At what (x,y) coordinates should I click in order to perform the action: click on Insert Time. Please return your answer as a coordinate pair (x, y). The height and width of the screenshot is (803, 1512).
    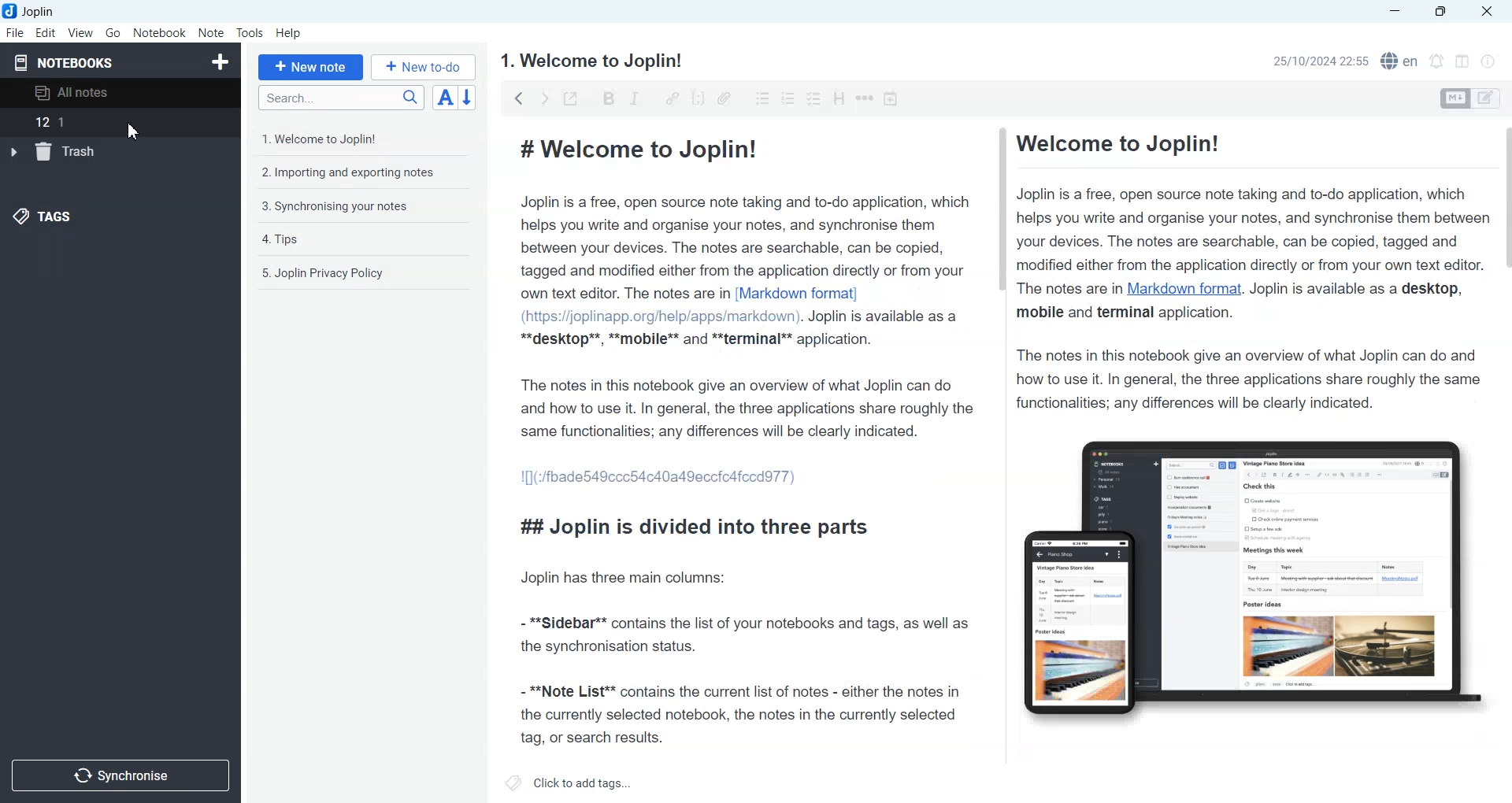
    Looking at the image, I should click on (891, 100).